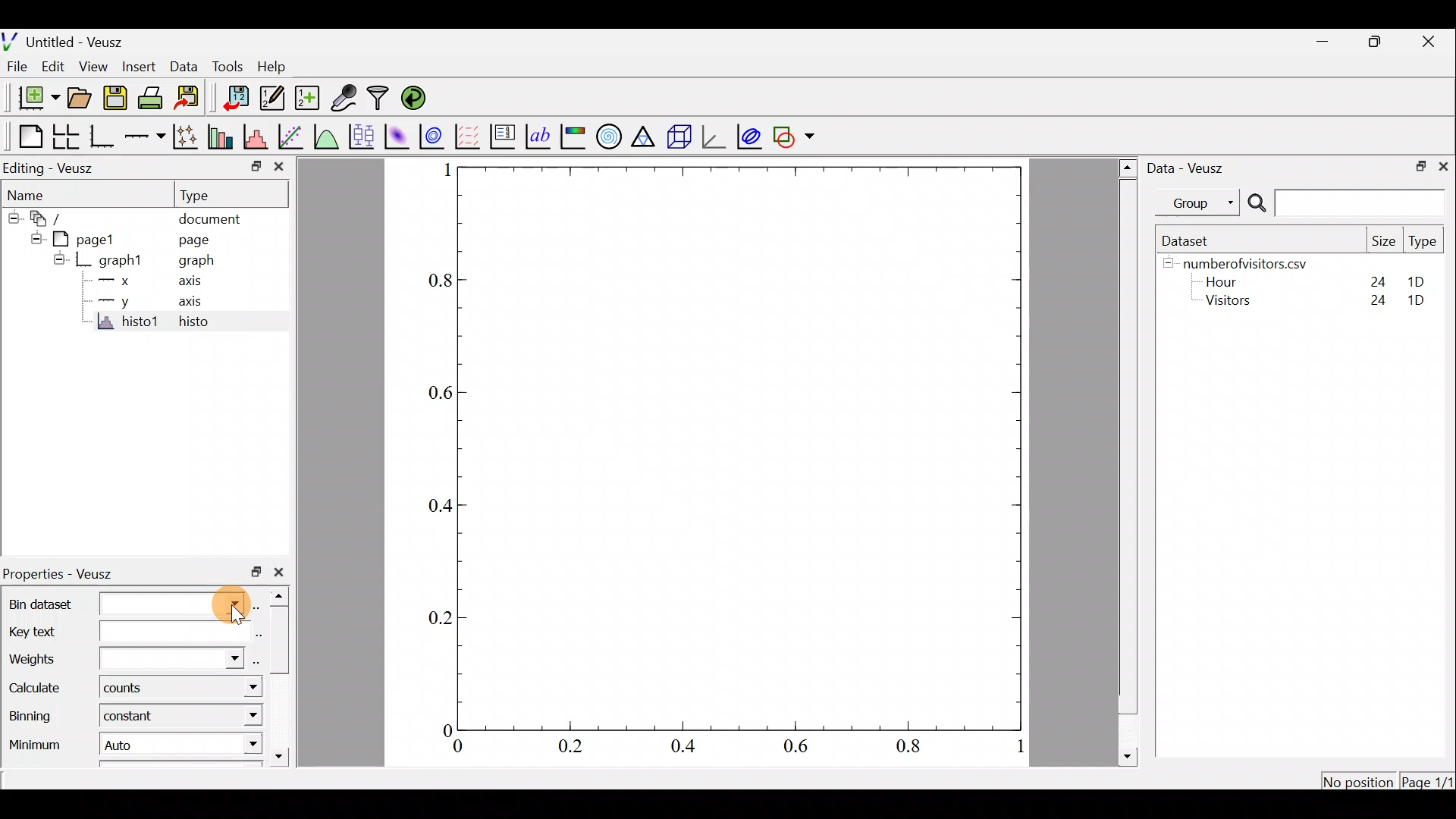 The height and width of the screenshot is (819, 1456). Describe the element at coordinates (146, 135) in the screenshot. I see `add an axis to the plot` at that location.